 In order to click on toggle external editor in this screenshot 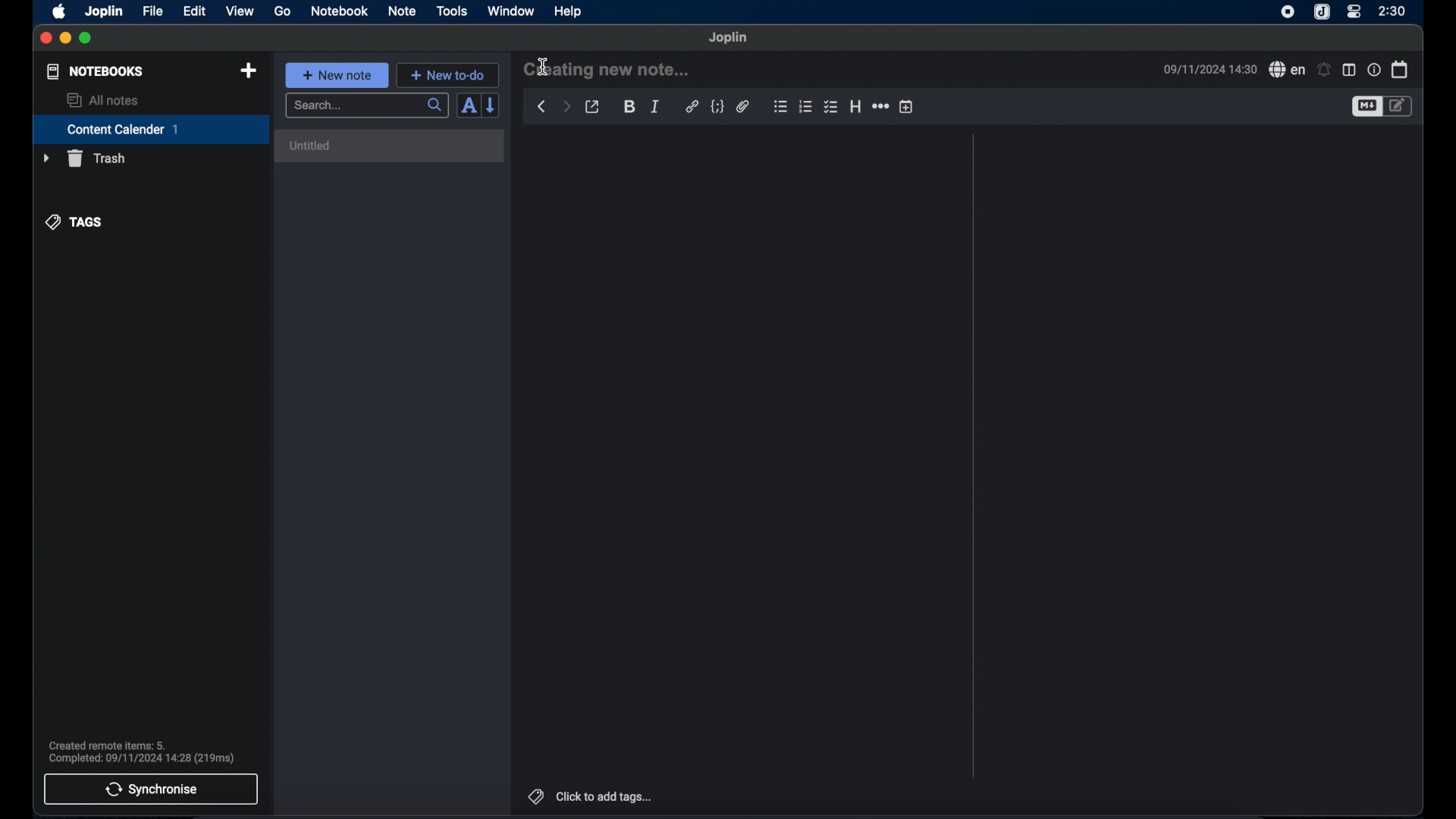, I will do `click(592, 107)`.